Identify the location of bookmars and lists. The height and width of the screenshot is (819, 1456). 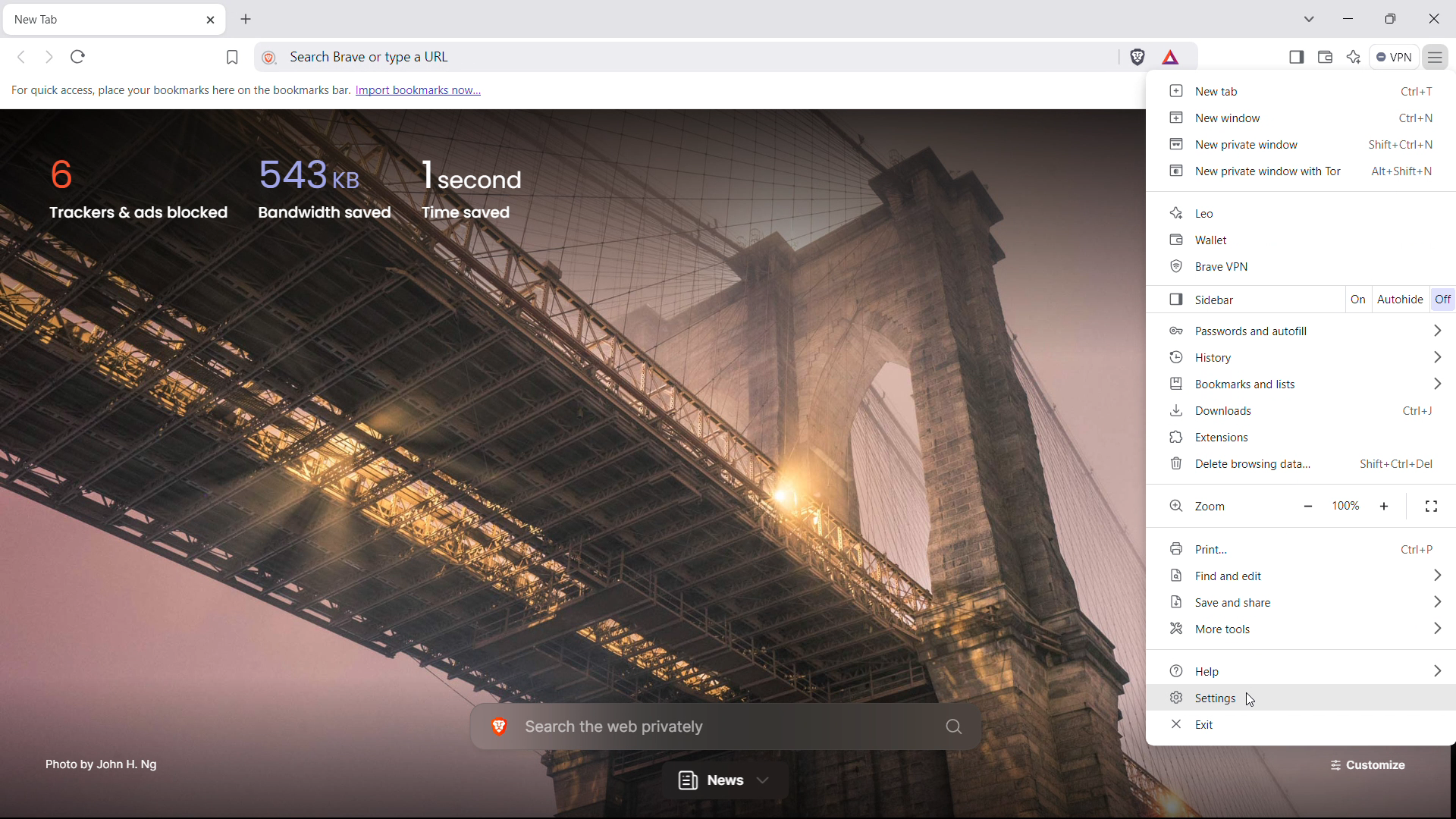
(1301, 384).